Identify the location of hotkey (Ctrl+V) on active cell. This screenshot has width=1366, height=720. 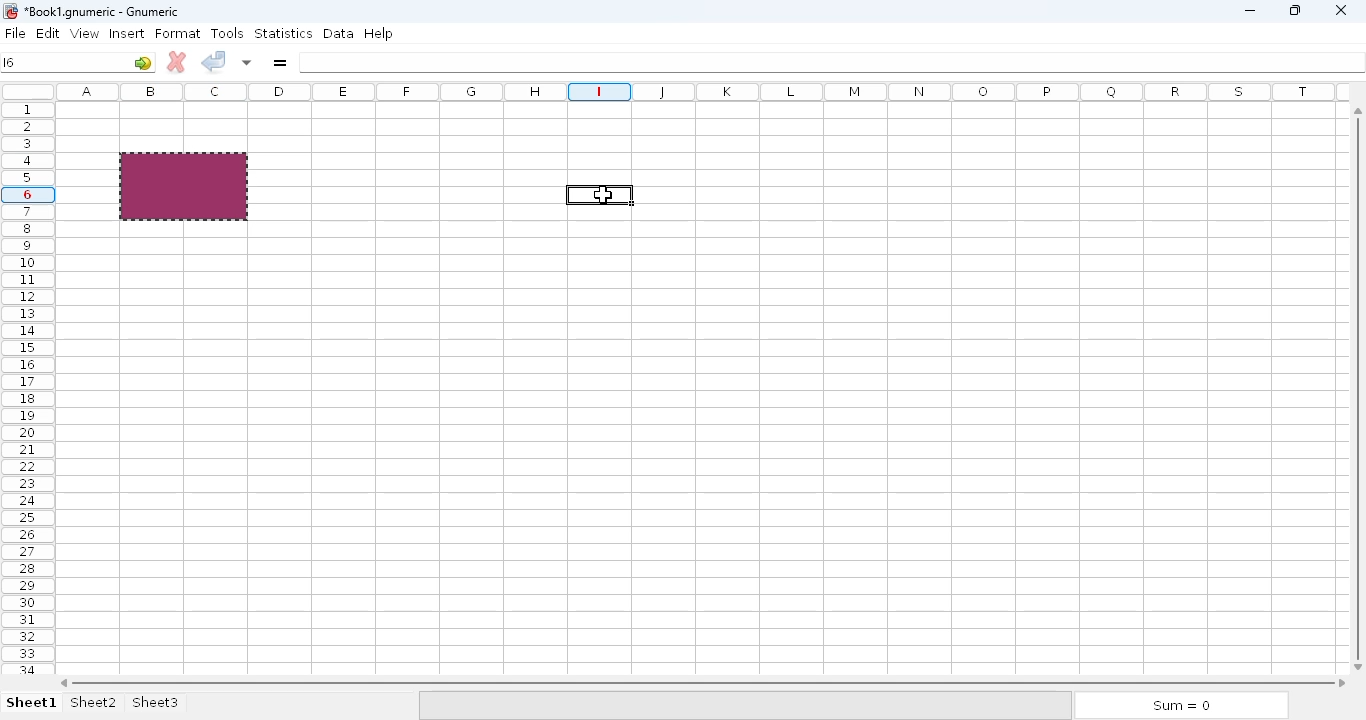
(599, 194).